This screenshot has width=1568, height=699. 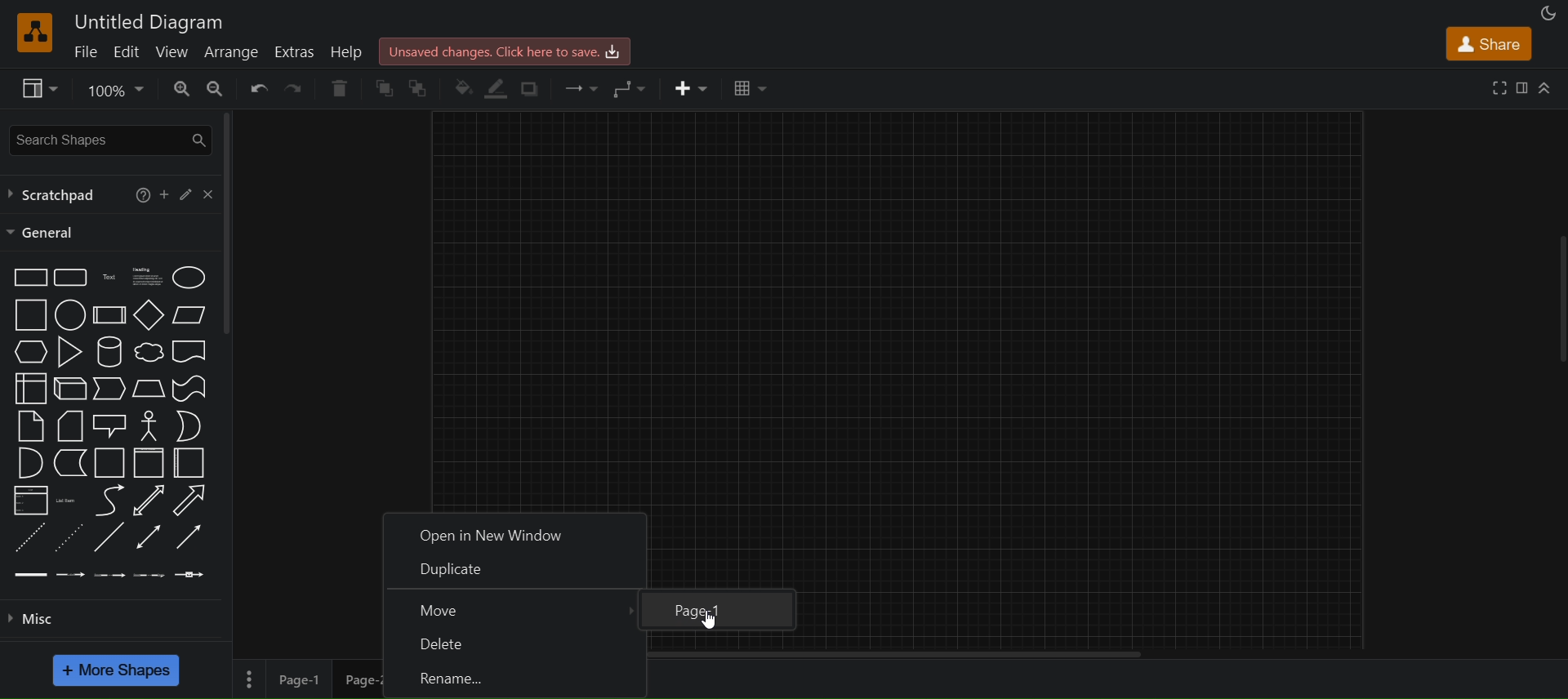 I want to click on card, so click(x=69, y=425).